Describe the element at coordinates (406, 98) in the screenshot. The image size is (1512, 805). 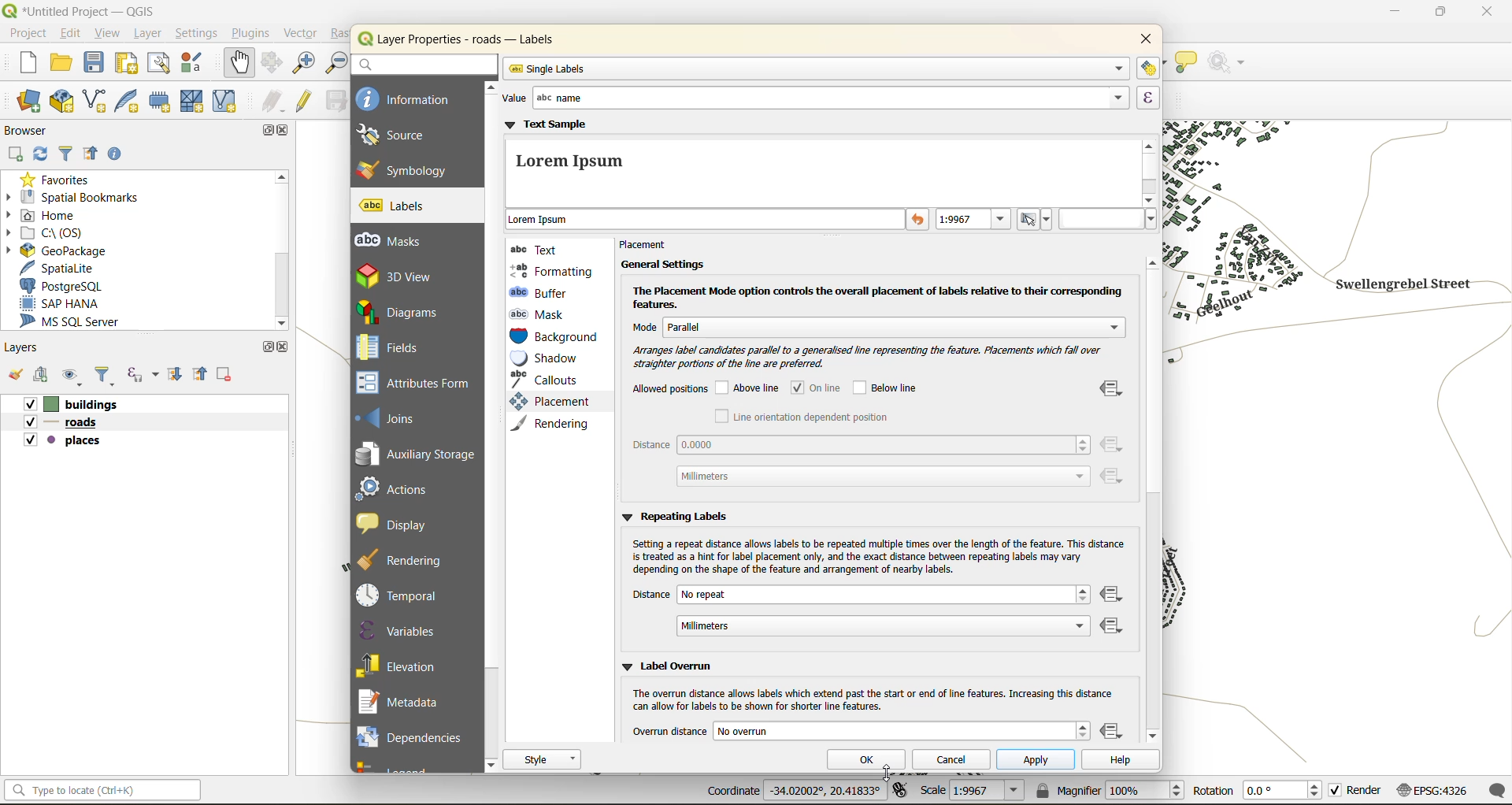
I see `information` at that location.